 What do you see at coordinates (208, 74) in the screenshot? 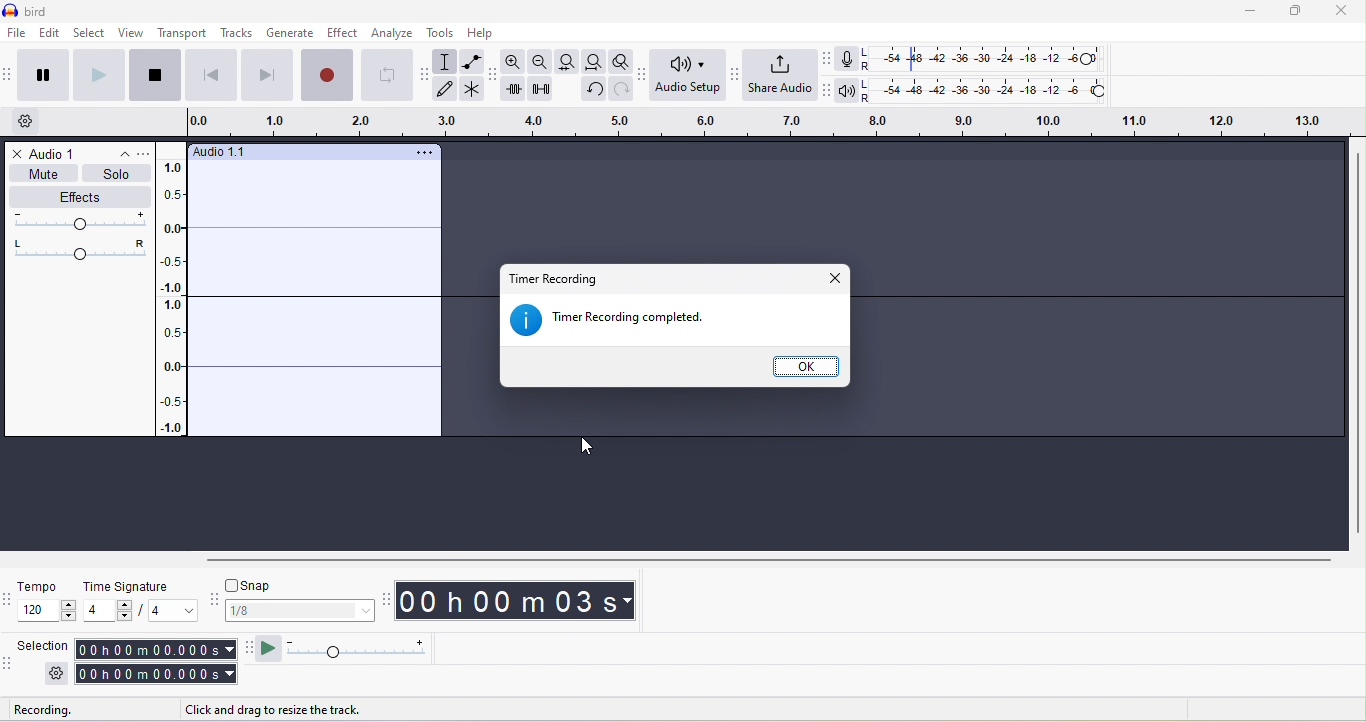
I see `skip to start` at bounding box center [208, 74].